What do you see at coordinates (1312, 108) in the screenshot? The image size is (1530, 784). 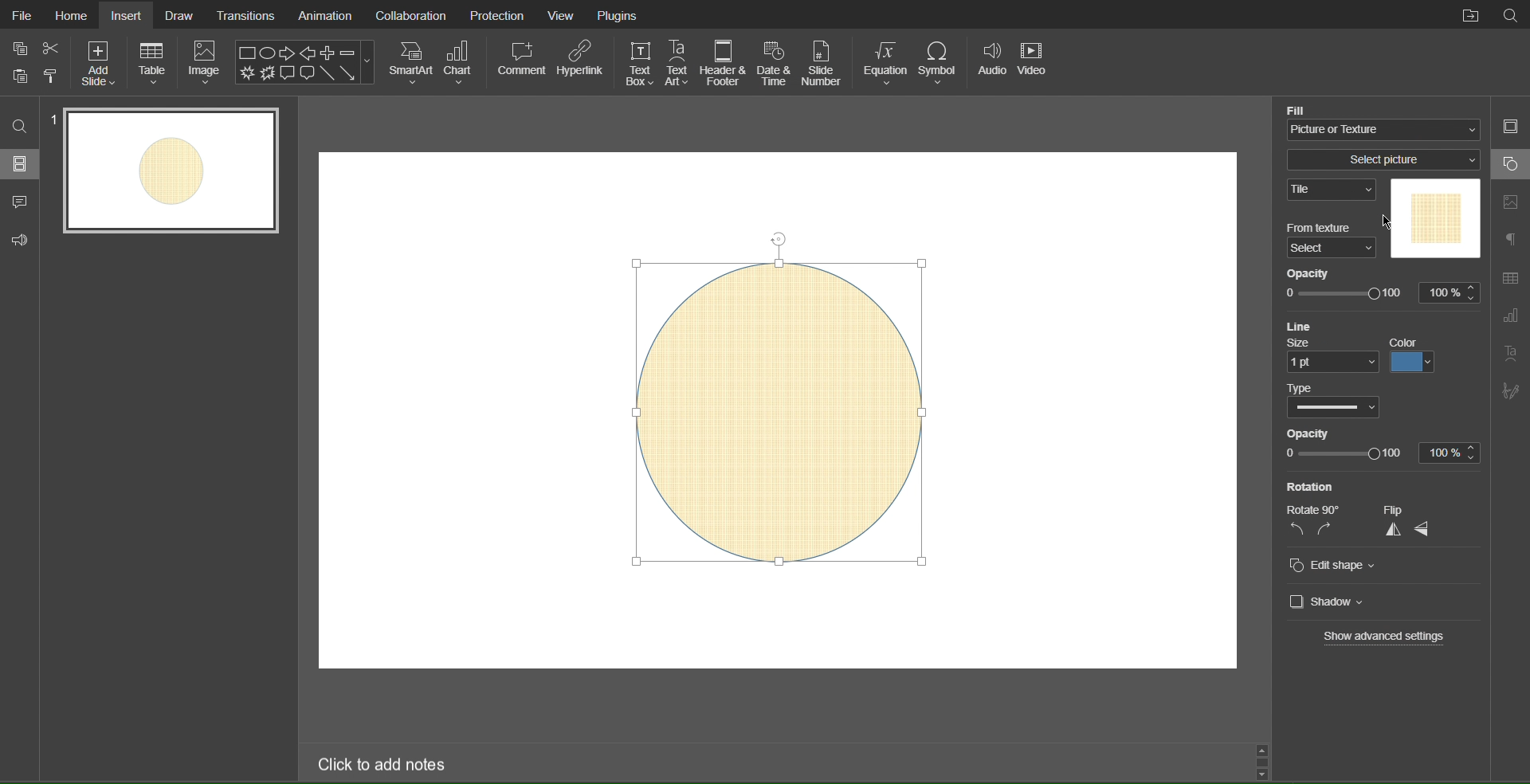 I see `Fill` at bounding box center [1312, 108].